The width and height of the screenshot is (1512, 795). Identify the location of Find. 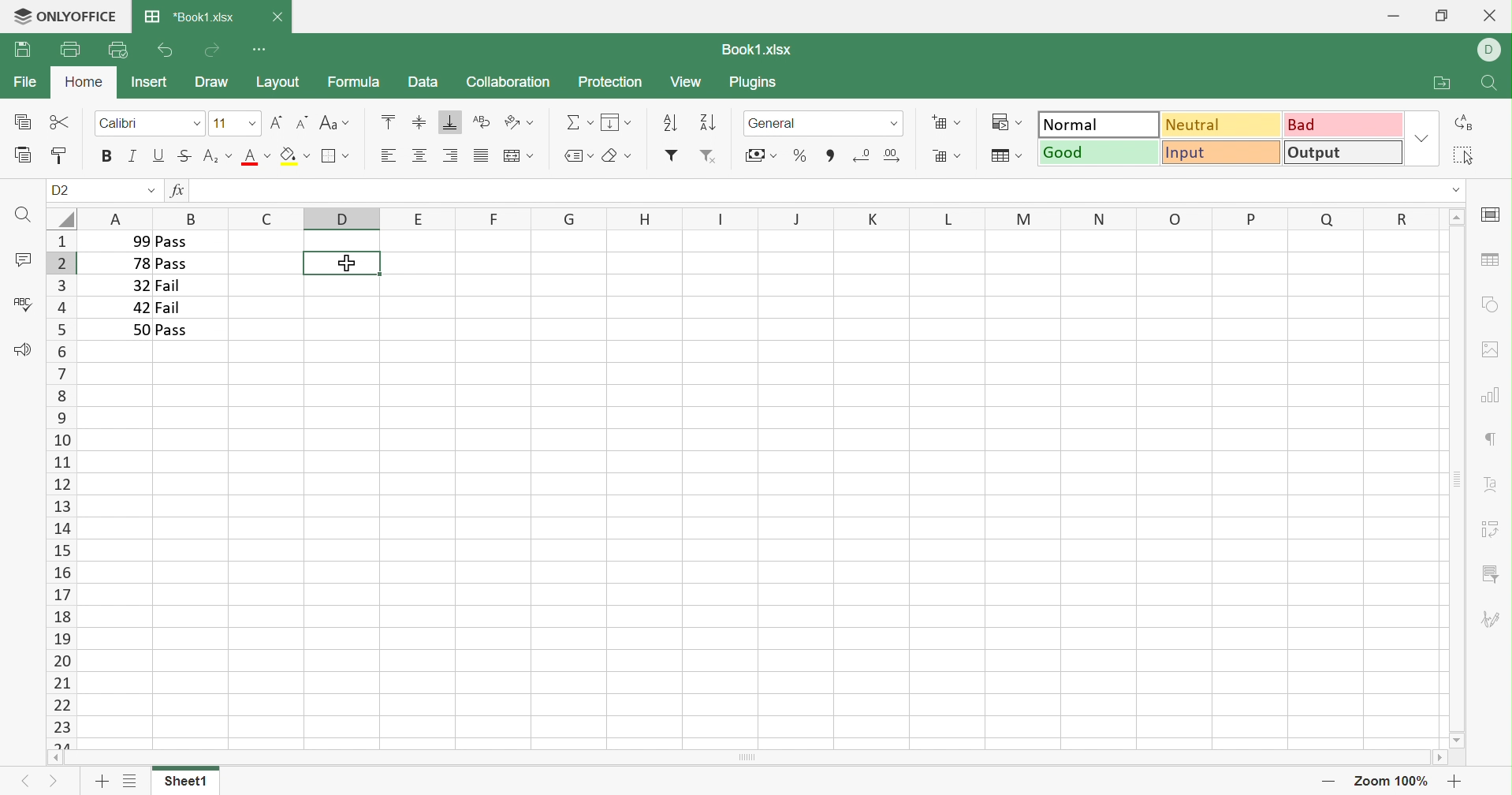
(1487, 85).